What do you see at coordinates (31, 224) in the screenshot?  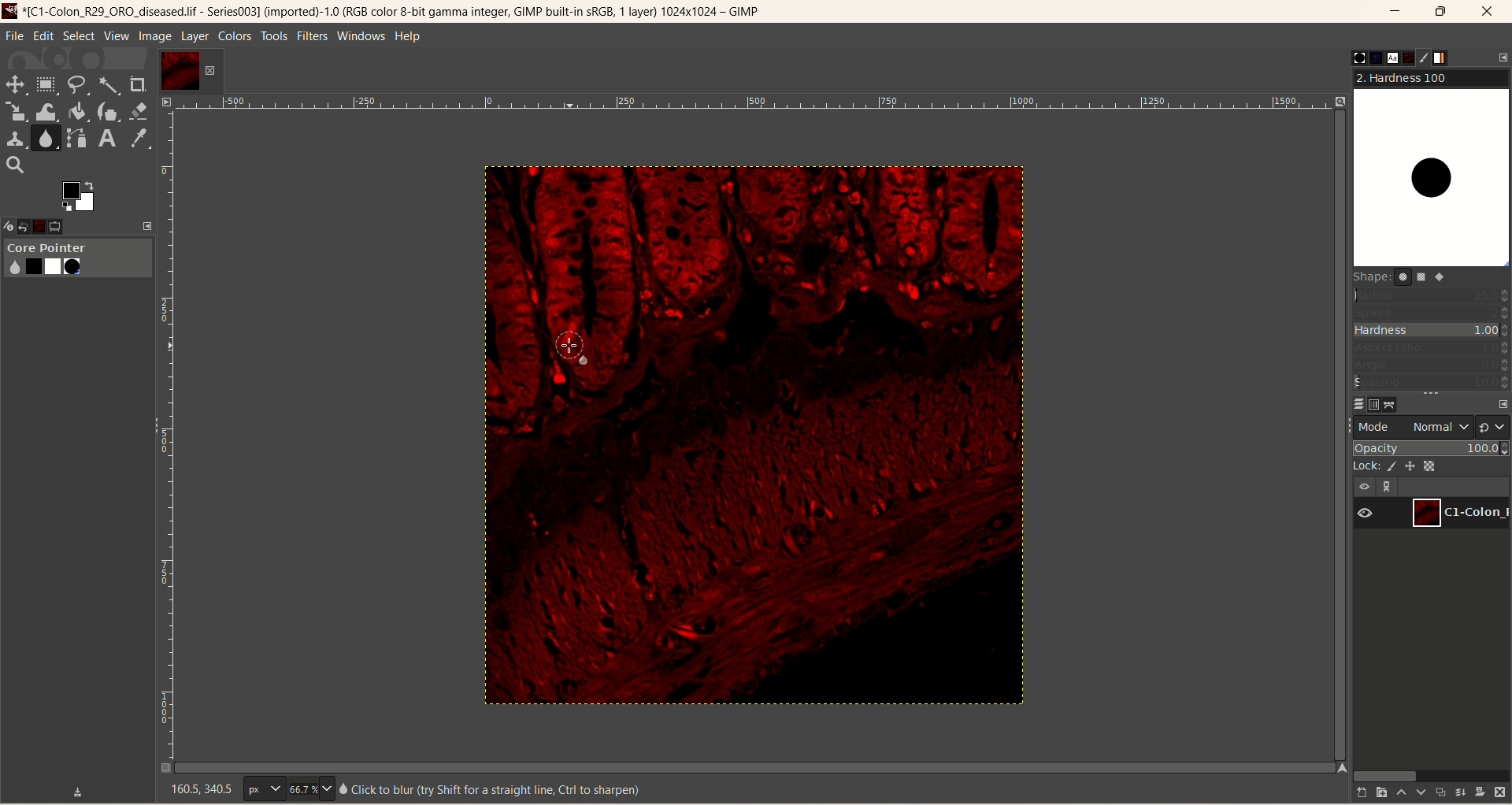 I see `open` at bounding box center [31, 224].